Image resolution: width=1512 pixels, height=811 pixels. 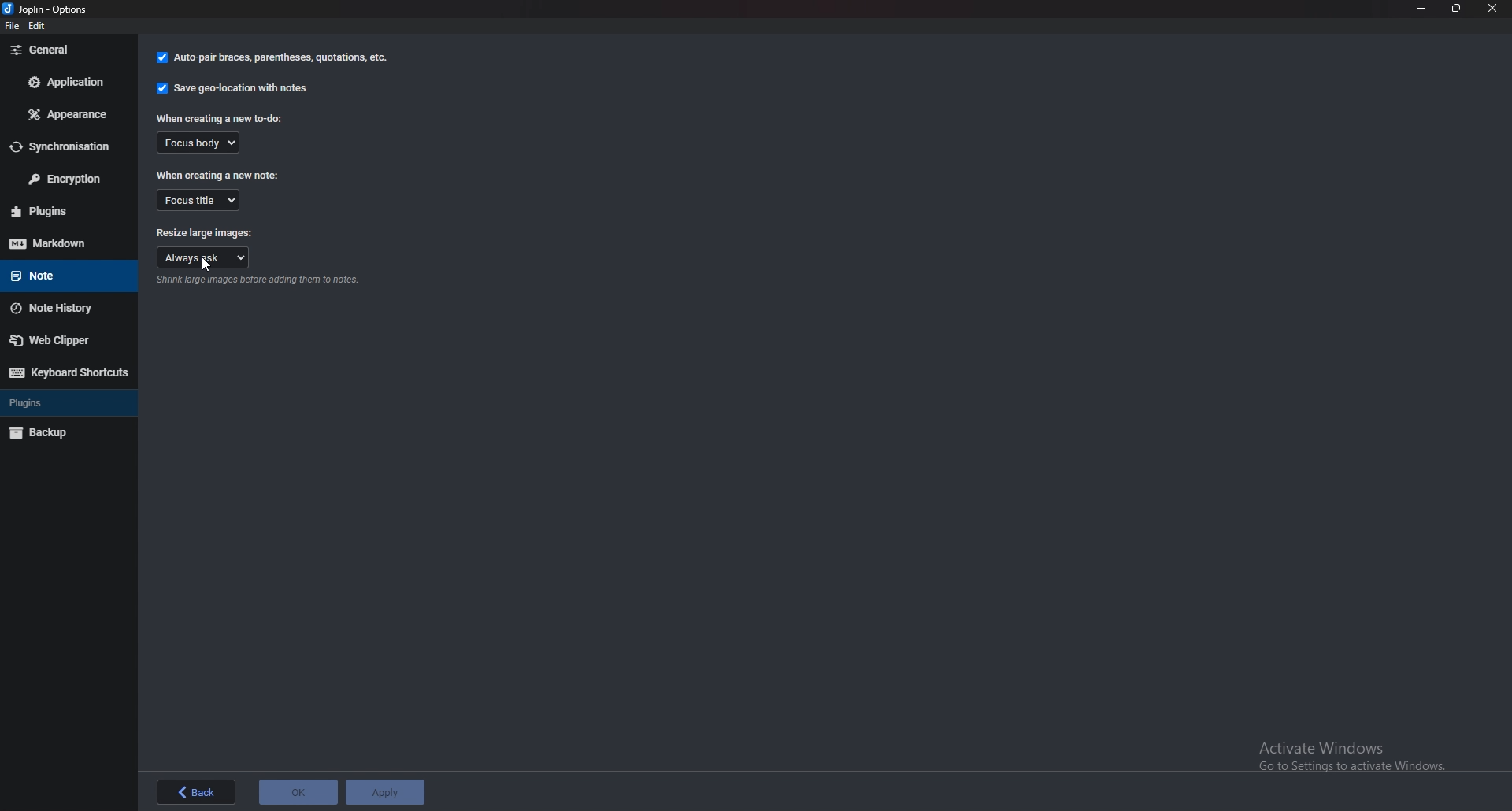 What do you see at coordinates (64, 339) in the screenshot?
I see `Web clipper` at bounding box center [64, 339].